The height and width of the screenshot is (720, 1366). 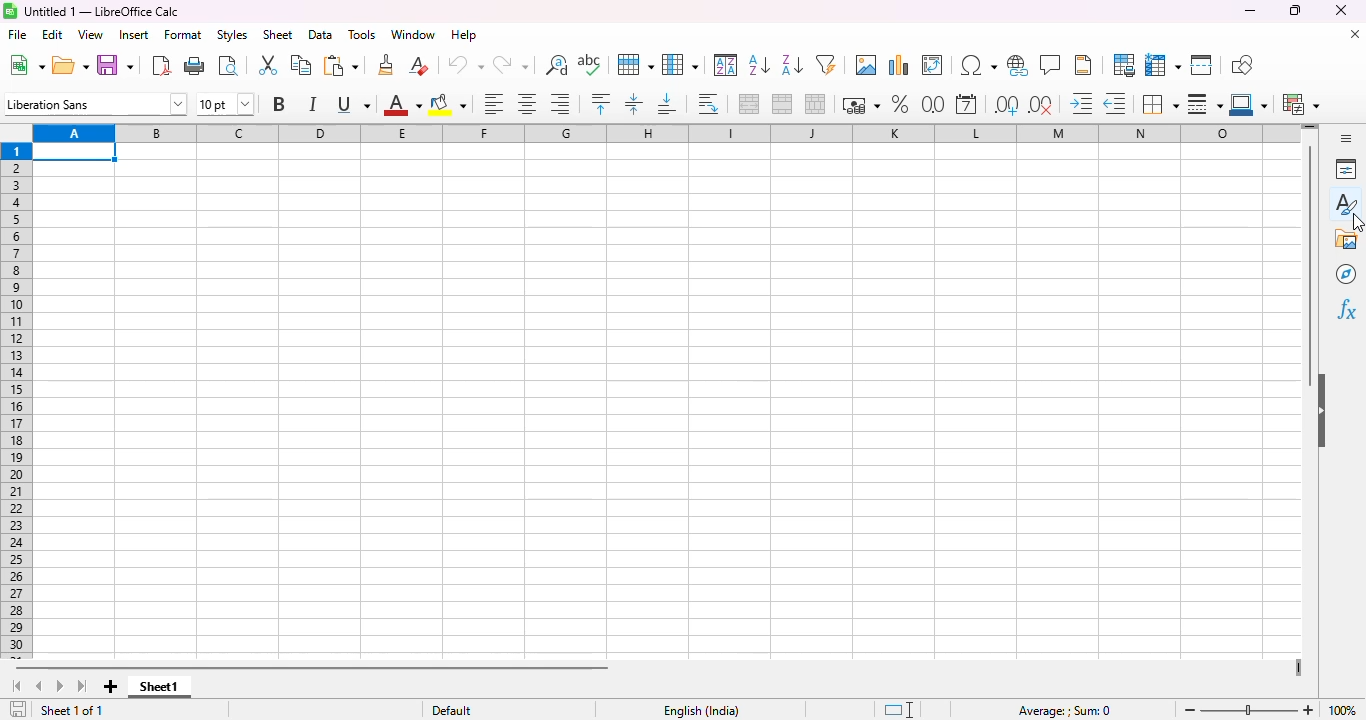 What do you see at coordinates (511, 65) in the screenshot?
I see `redo` at bounding box center [511, 65].